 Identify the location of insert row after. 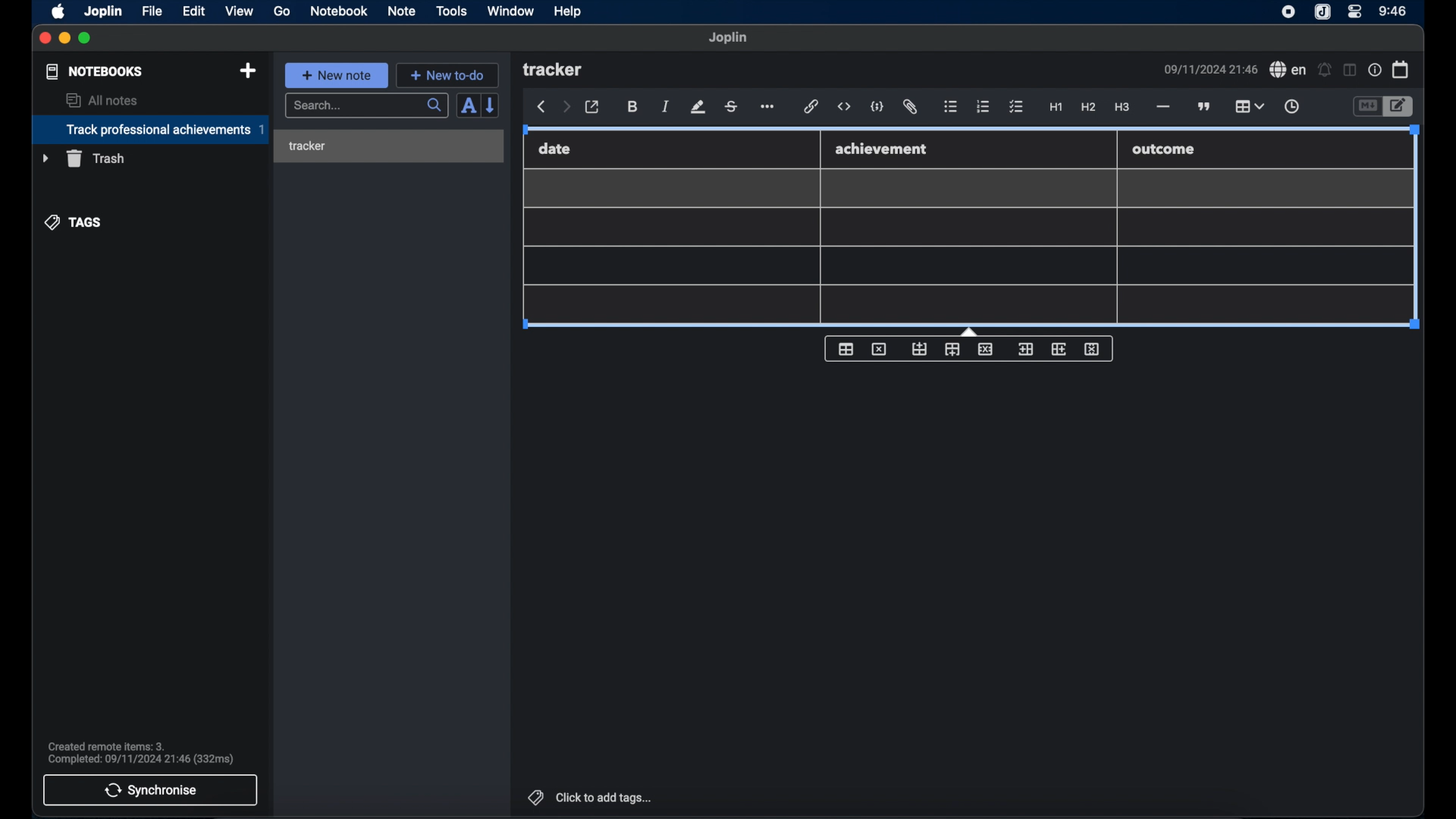
(952, 350).